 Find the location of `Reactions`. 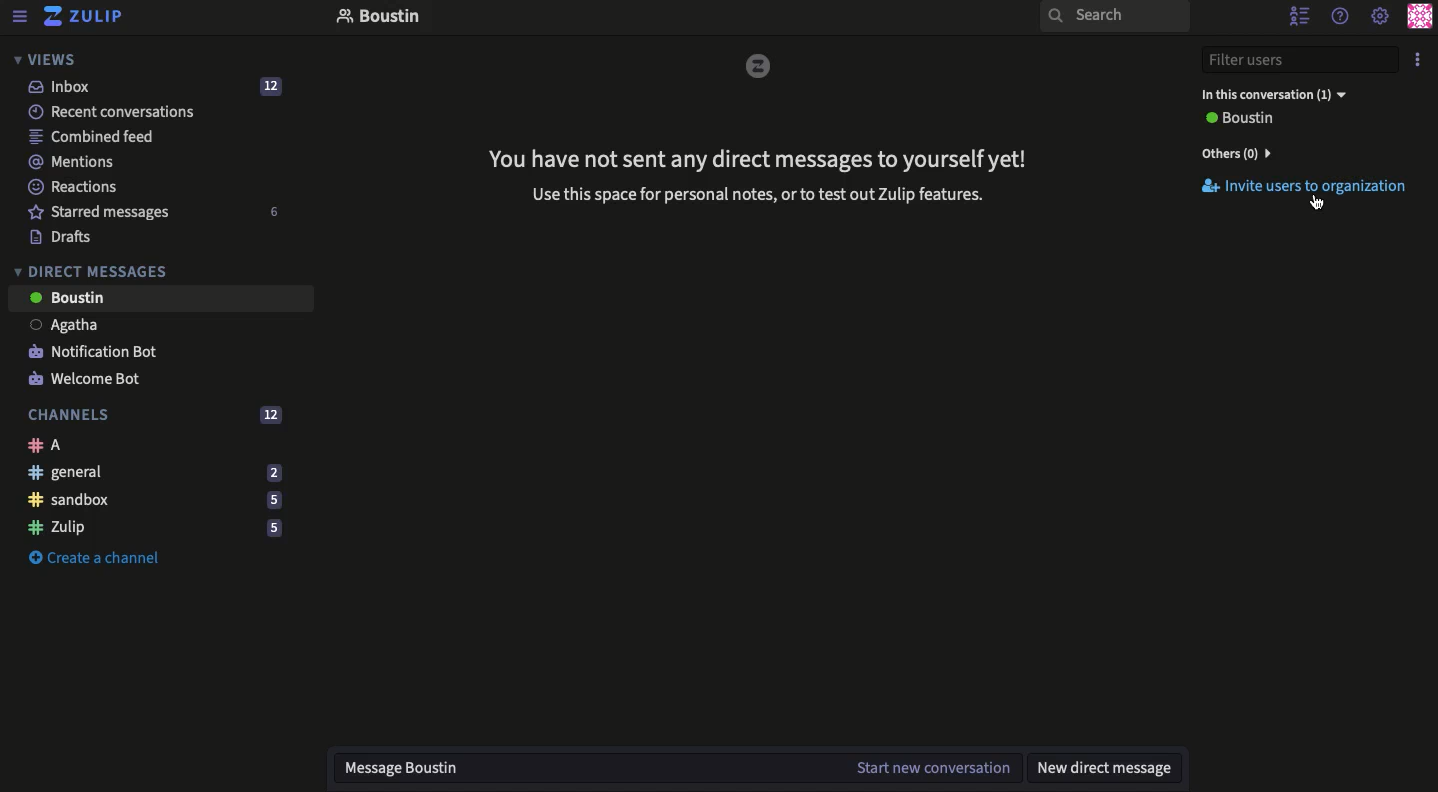

Reactions is located at coordinates (69, 189).